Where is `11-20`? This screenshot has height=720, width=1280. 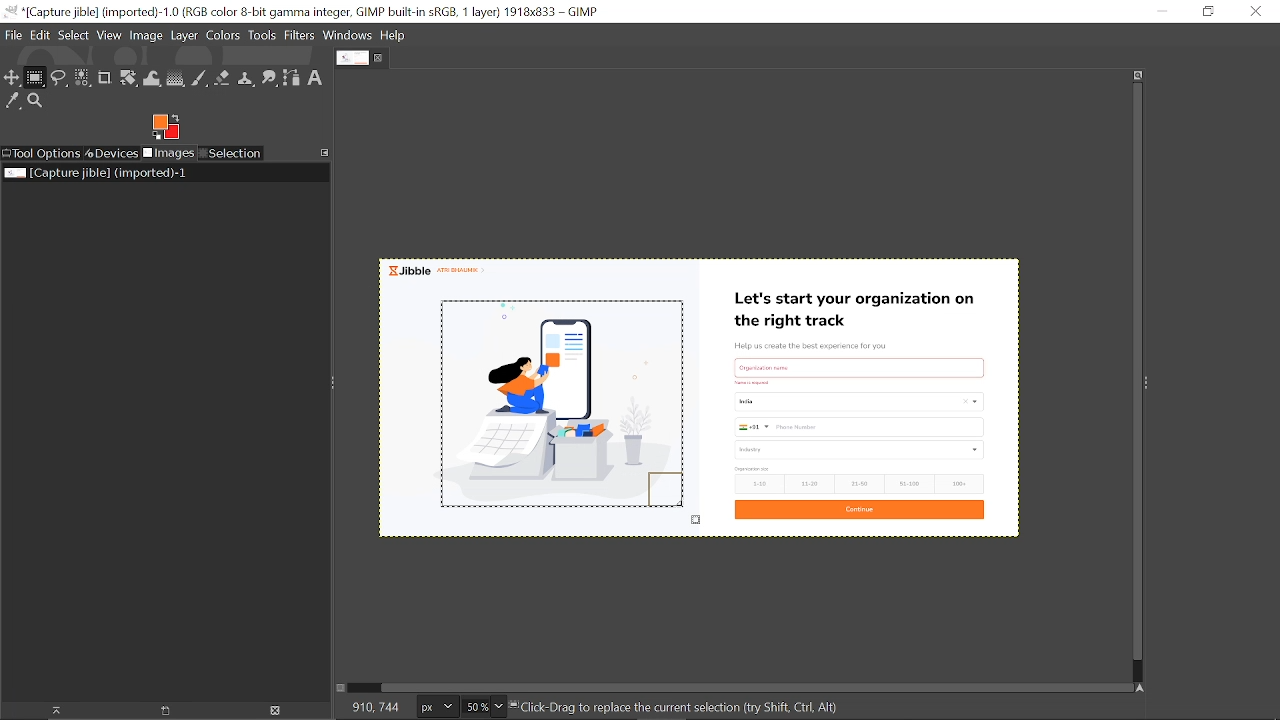
11-20 is located at coordinates (808, 484).